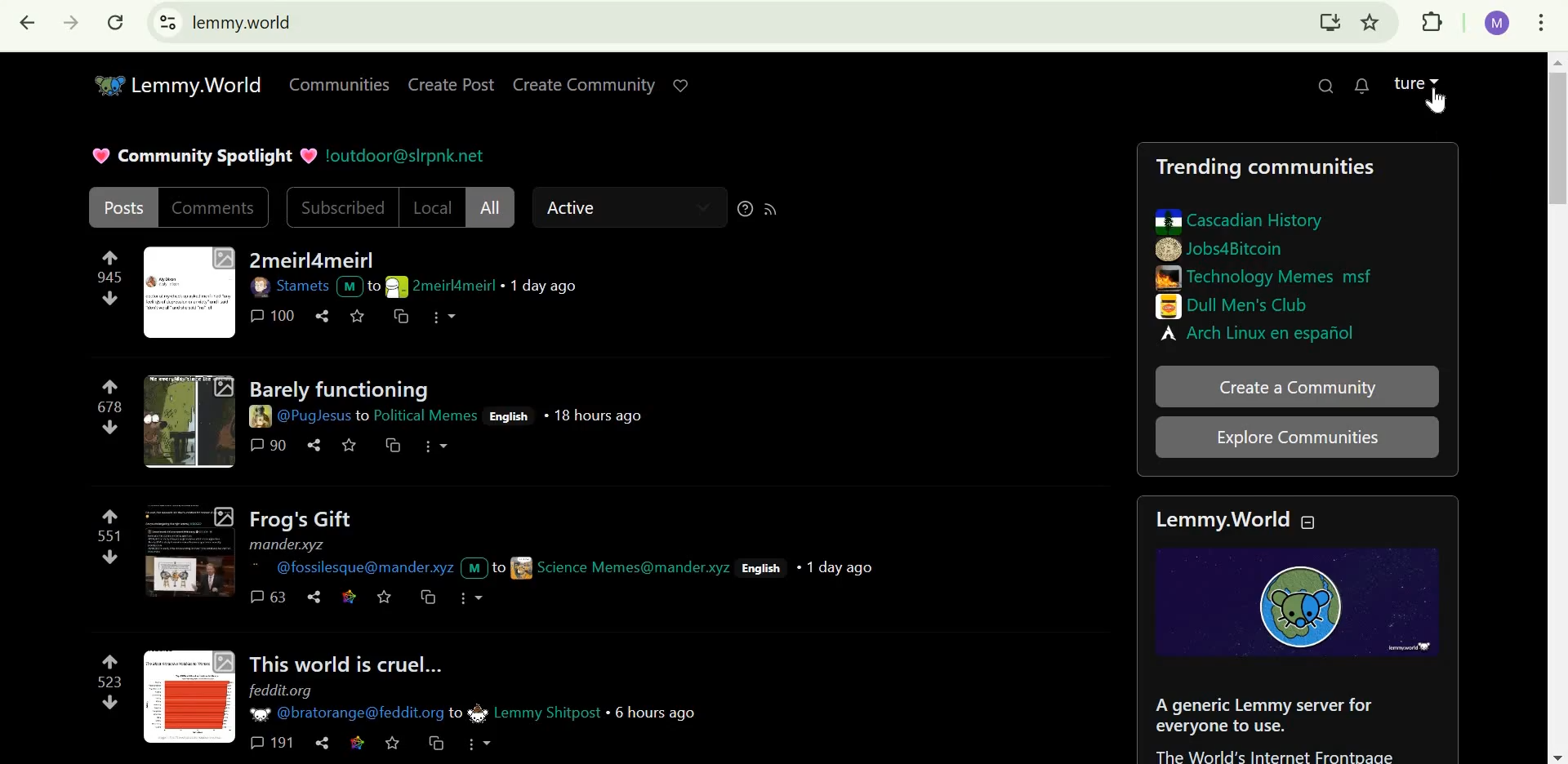 The image size is (1568, 764). What do you see at coordinates (1238, 305) in the screenshot?
I see `Dull Men's club` at bounding box center [1238, 305].